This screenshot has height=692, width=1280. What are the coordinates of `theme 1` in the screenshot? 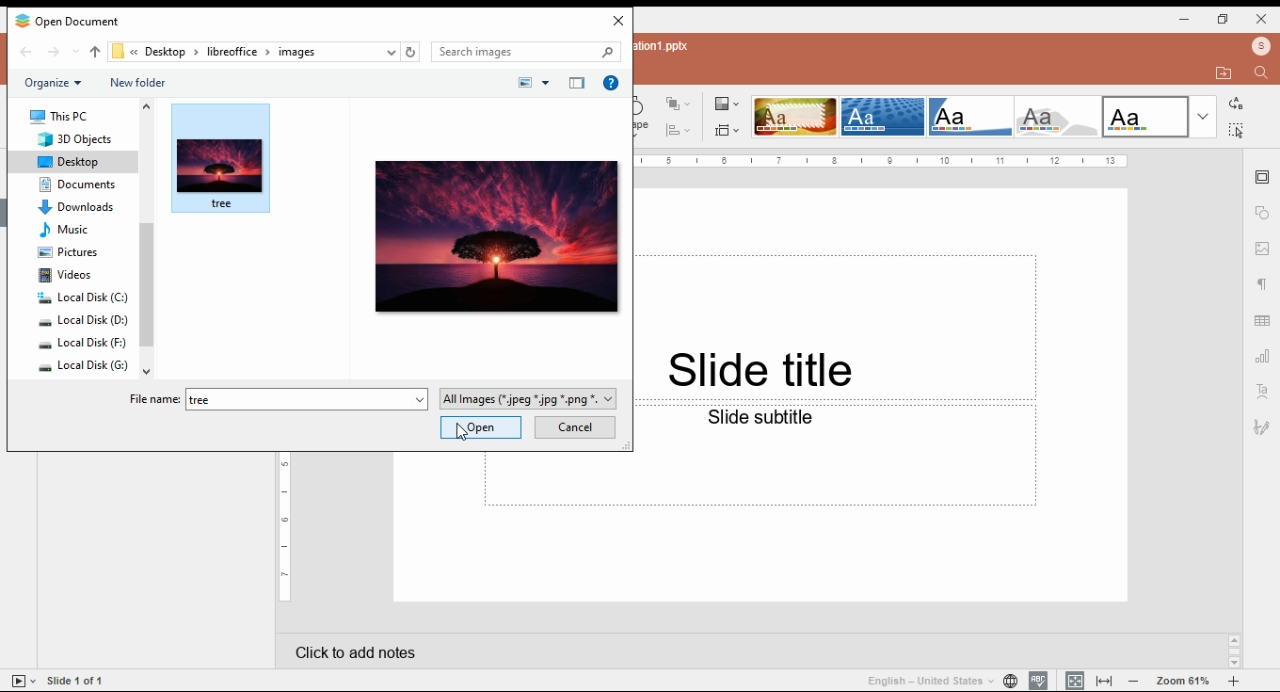 It's located at (793, 117).